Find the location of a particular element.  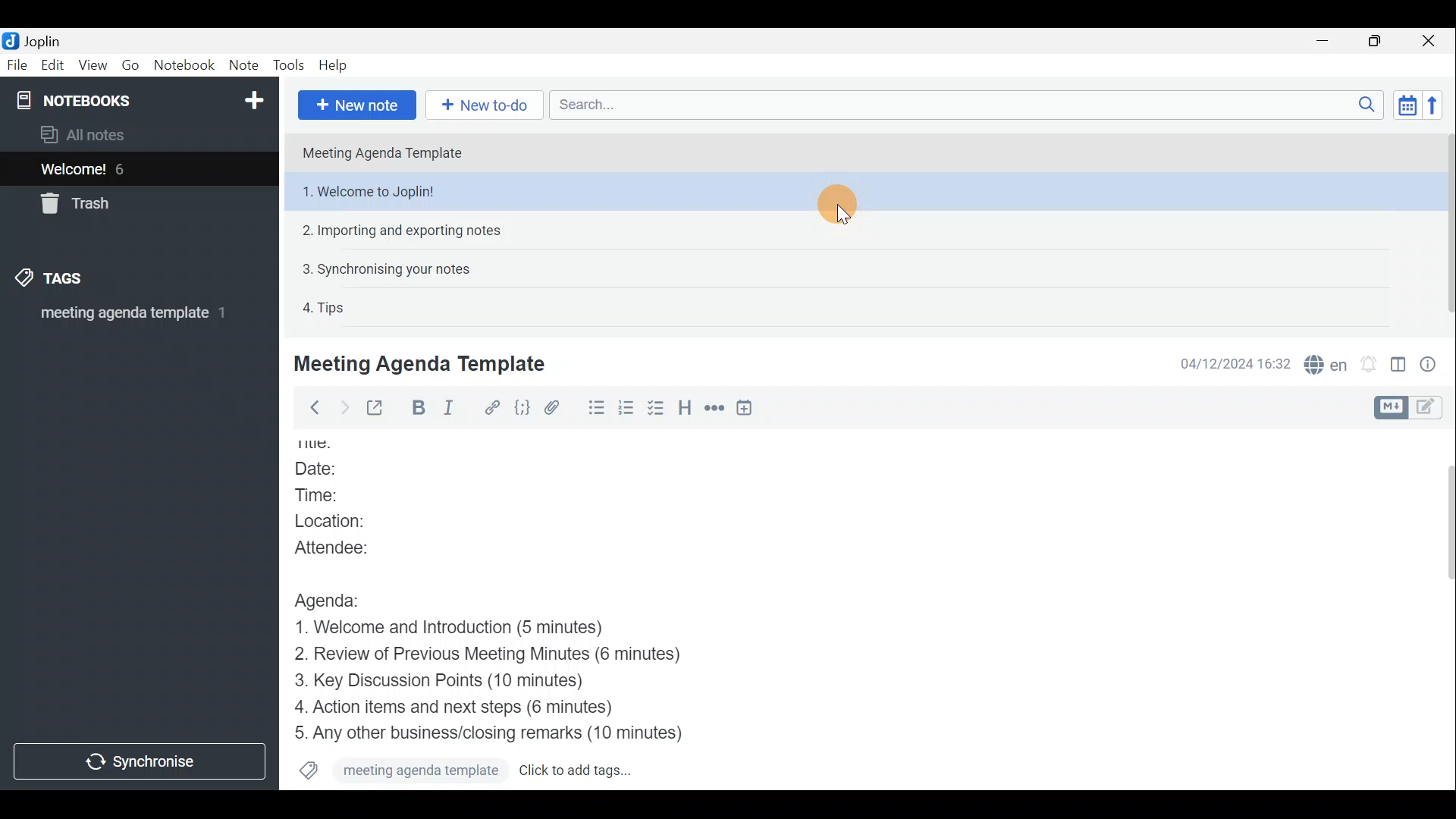

Review of Previous Meeting Minutes (6 minutes) is located at coordinates (512, 657).